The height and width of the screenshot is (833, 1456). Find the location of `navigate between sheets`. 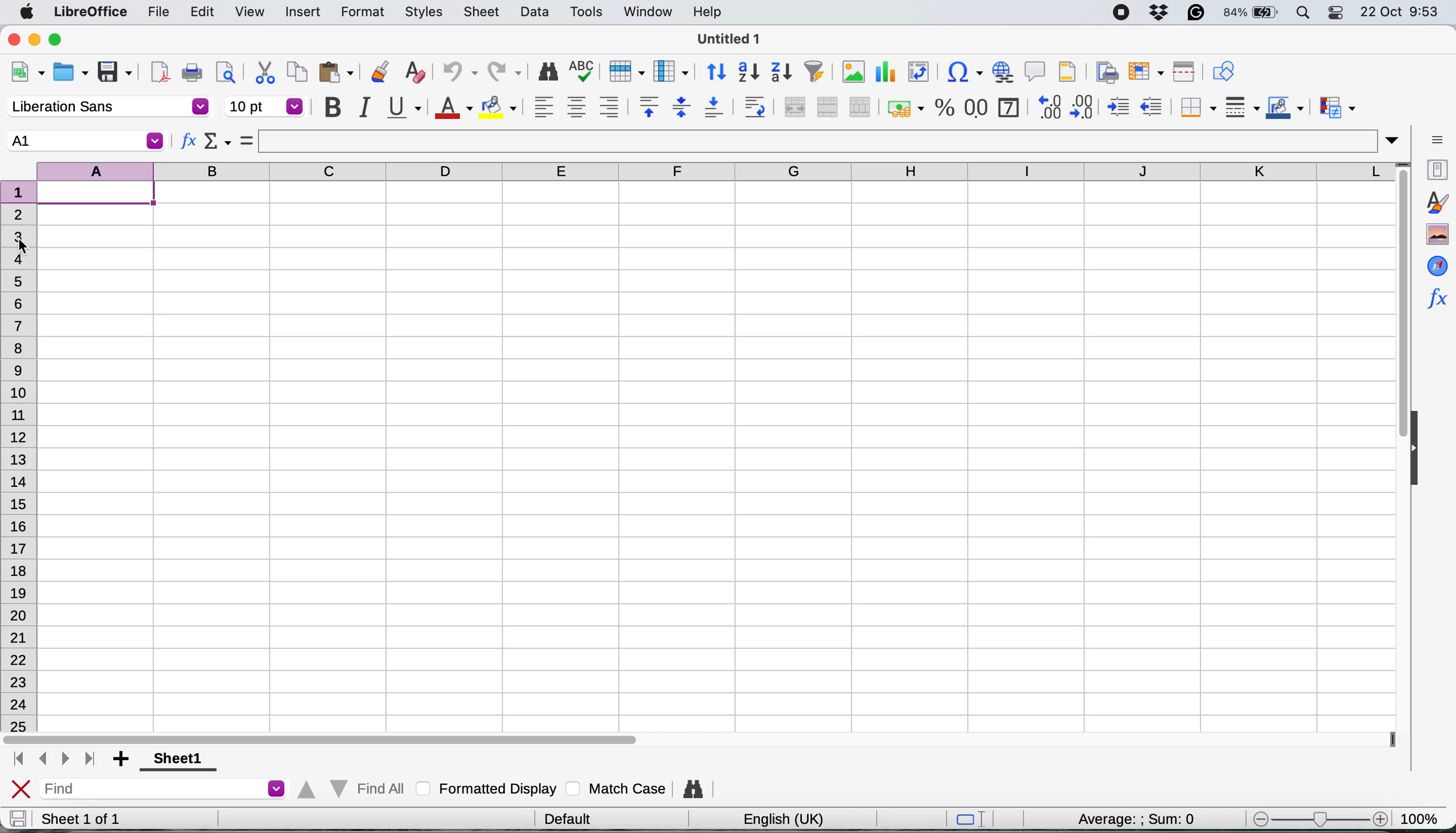

navigate between sheets is located at coordinates (53, 760).